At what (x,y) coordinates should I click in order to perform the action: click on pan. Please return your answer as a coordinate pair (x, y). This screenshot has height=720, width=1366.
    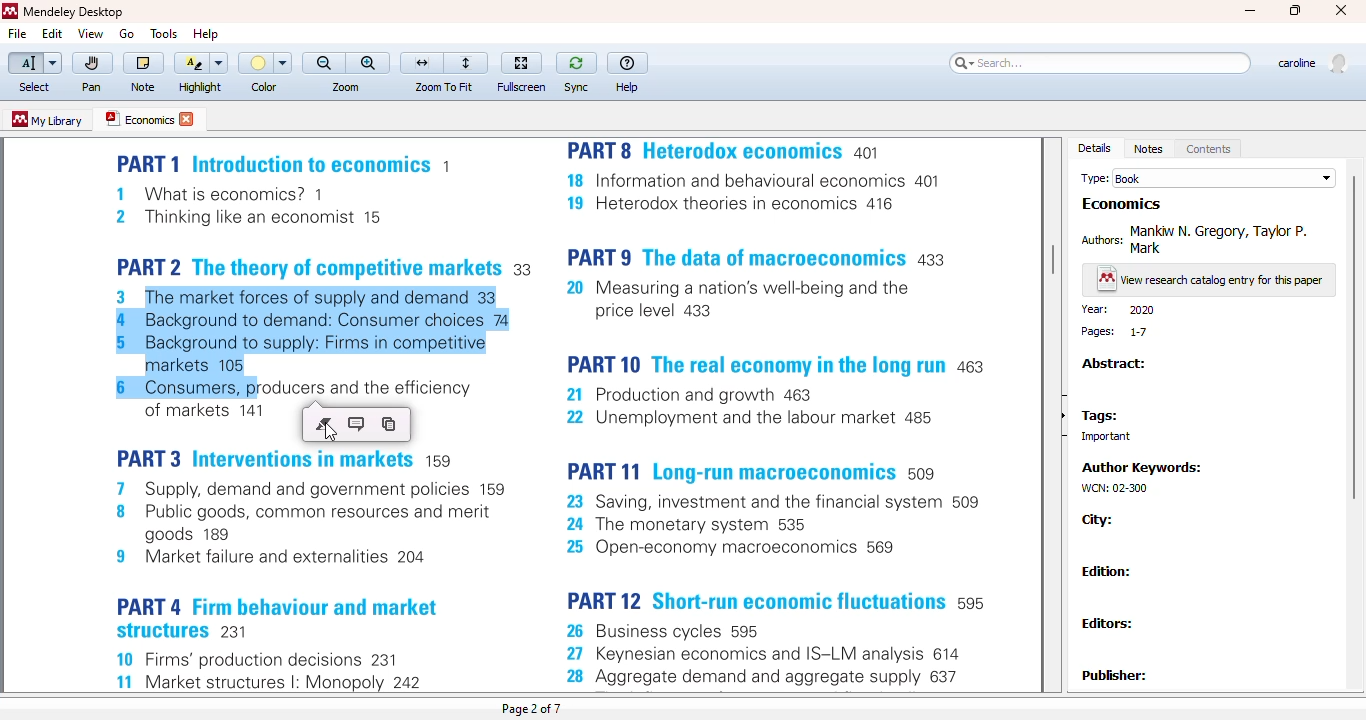
    Looking at the image, I should click on (91, 87).